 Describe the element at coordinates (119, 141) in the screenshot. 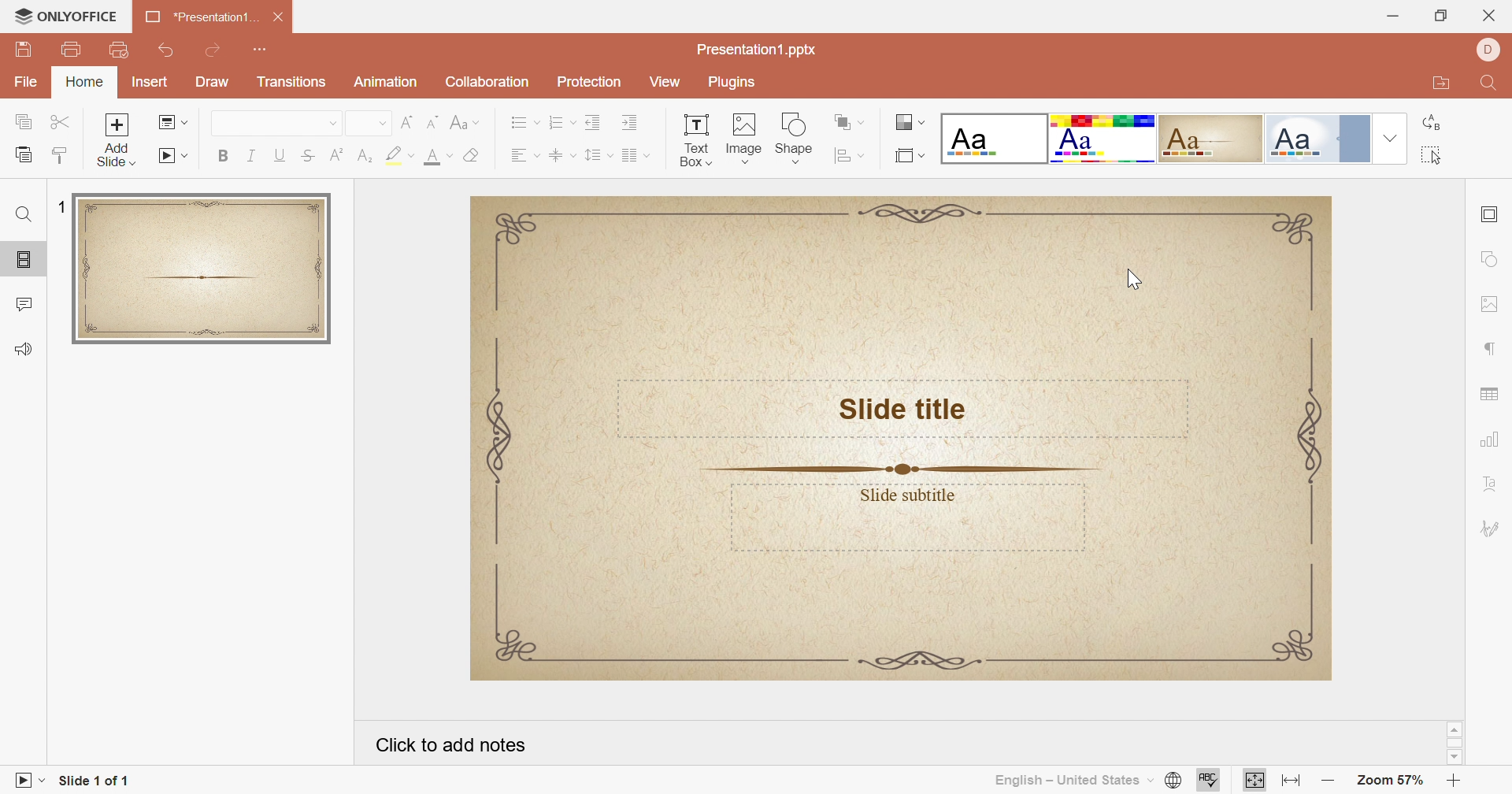

I see `Add slide` at that location.